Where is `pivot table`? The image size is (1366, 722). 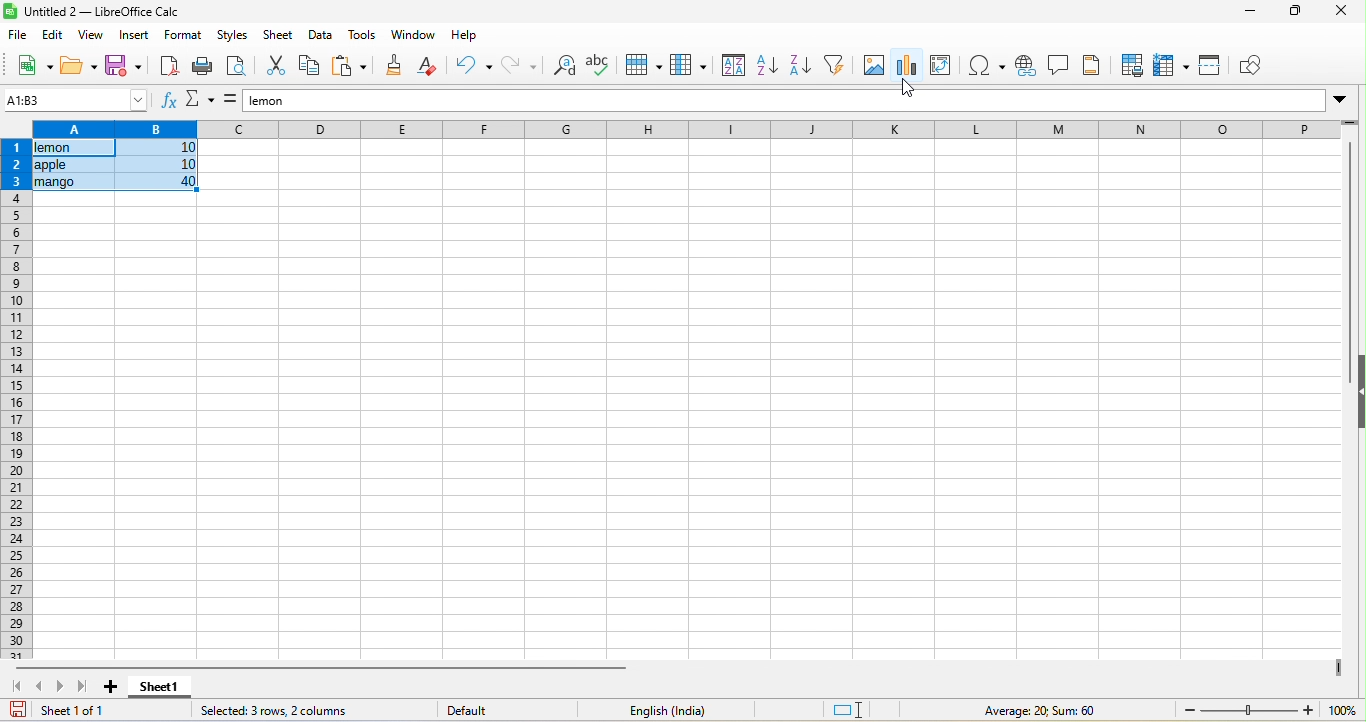
pivot table is located at coordinates (944, 68).